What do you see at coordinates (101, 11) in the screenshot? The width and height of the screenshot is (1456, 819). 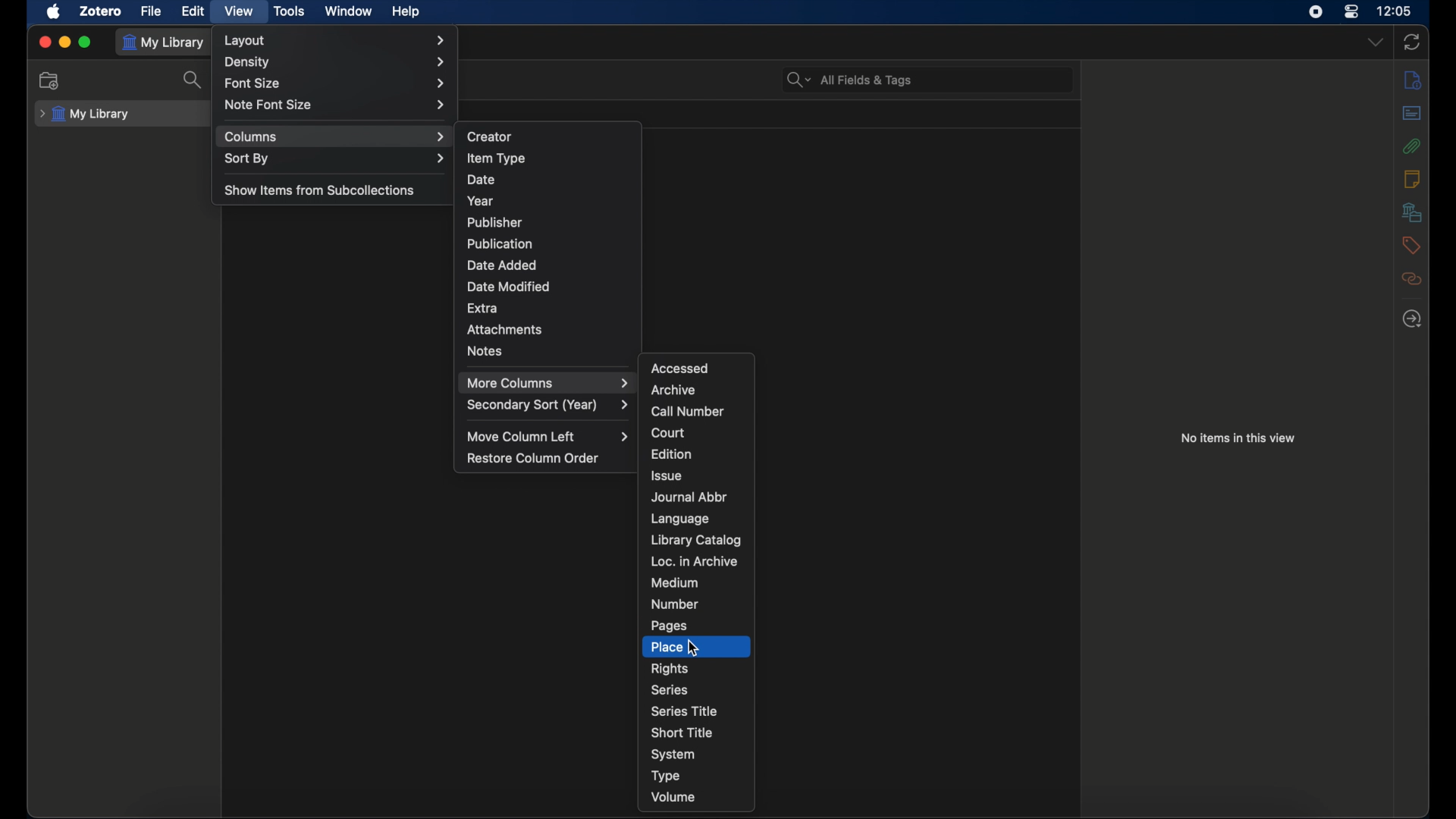 I see `zotero` at bounding box center [101, 11].